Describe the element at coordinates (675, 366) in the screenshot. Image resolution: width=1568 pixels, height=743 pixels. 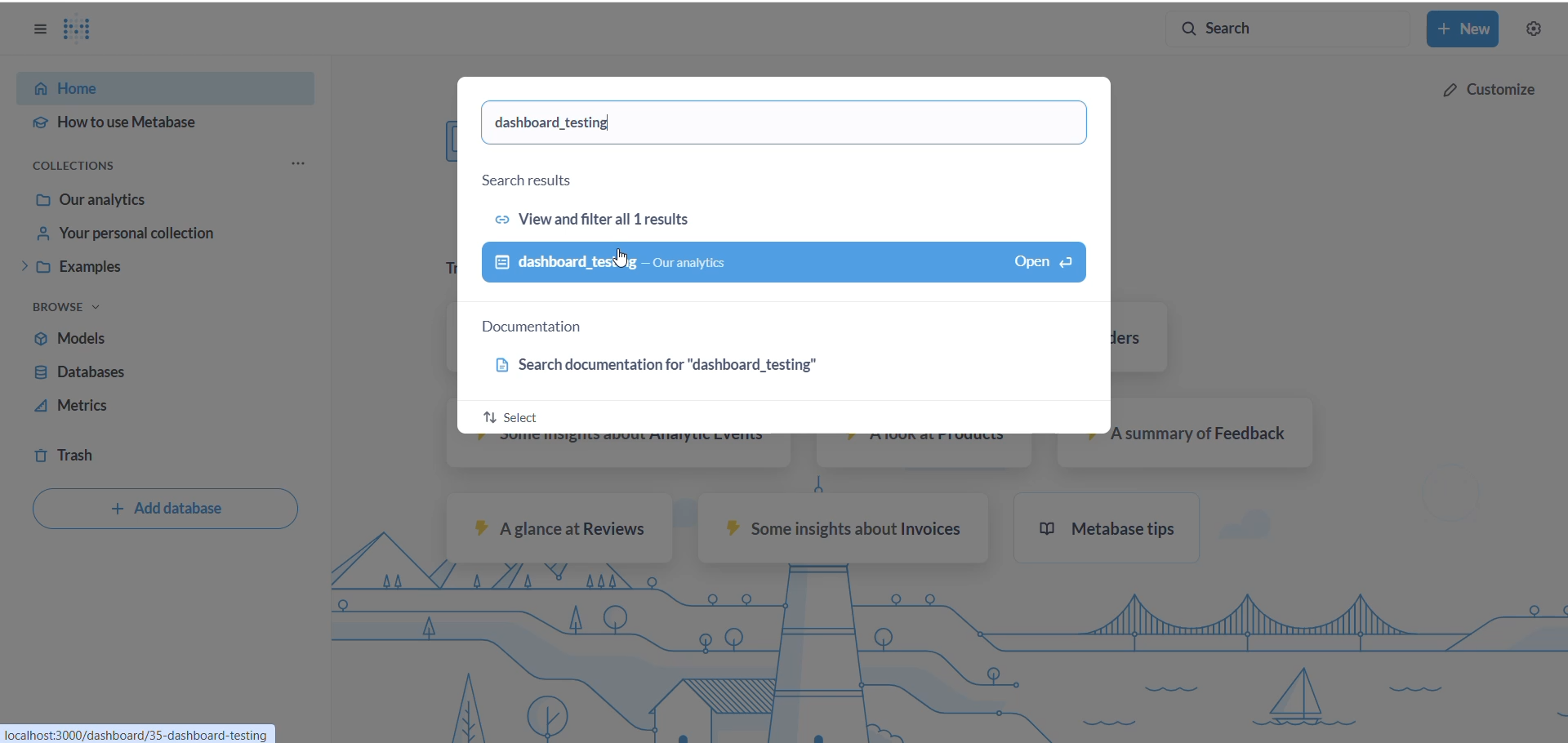
I see `Search documentation for "dashboard_testing"` at that location.